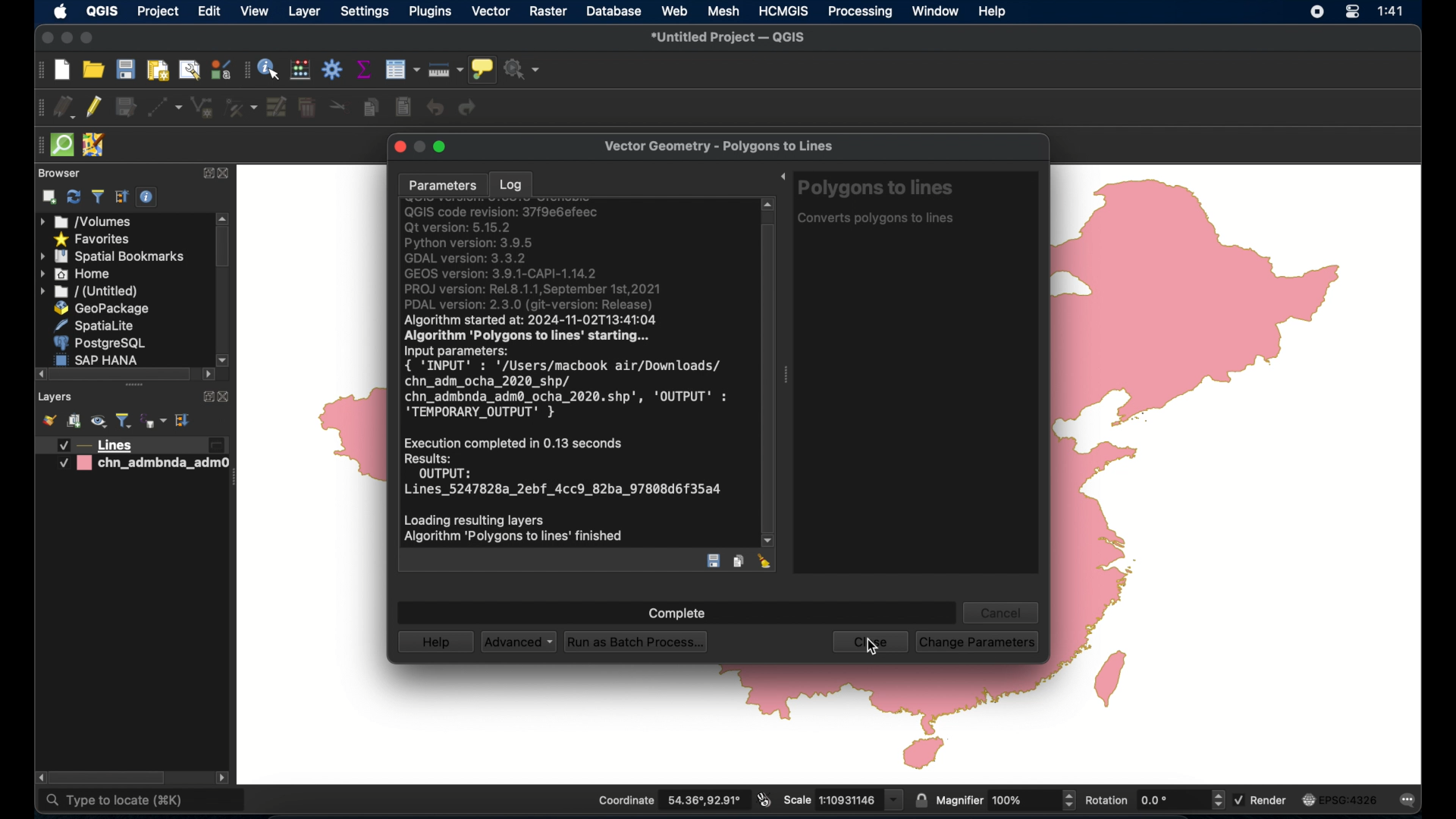 The image size is (1456, 819). Describe the element at coordinates (920, 799) in the screenshot. I see `lock scale` at that location.